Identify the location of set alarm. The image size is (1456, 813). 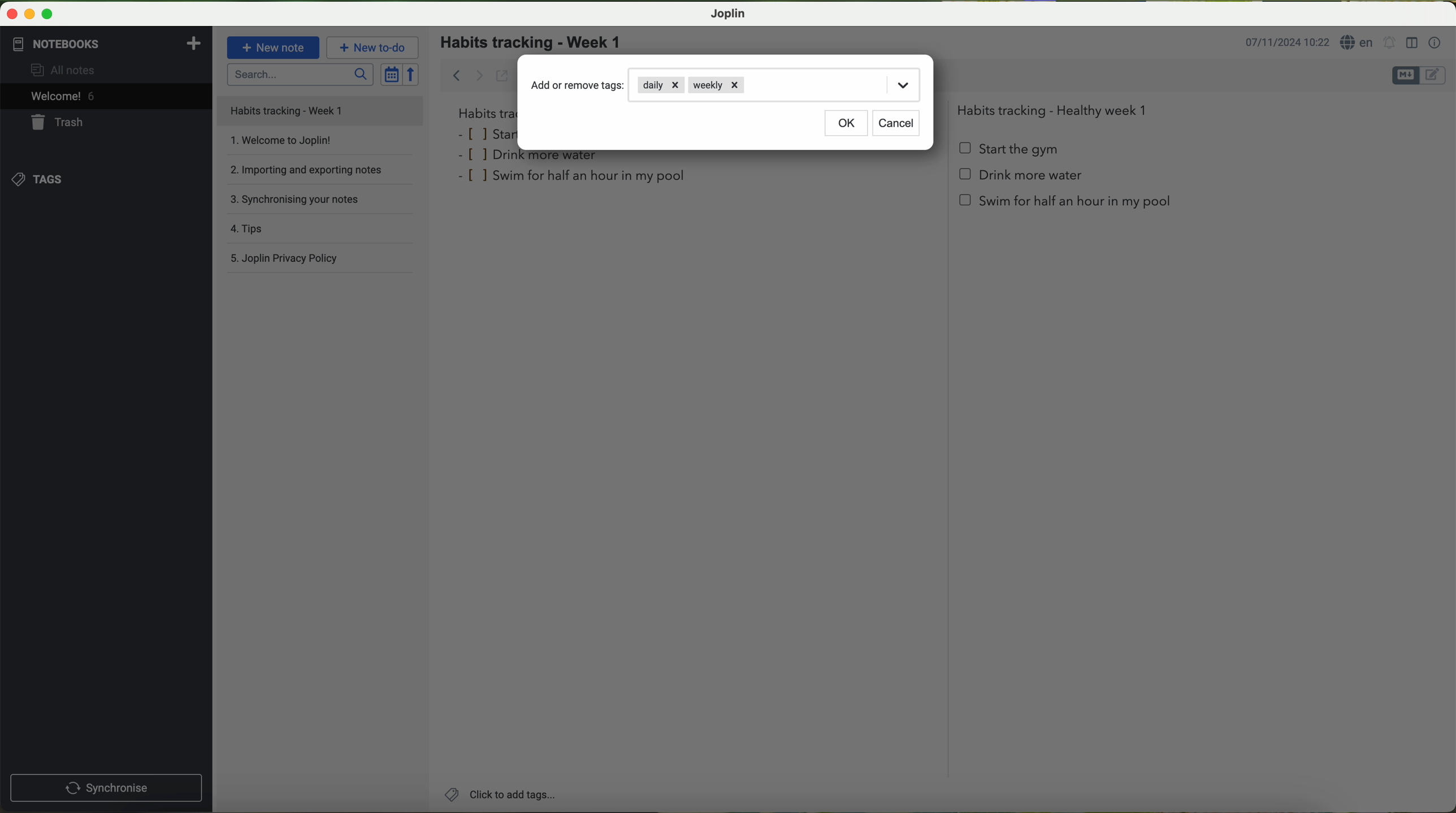
(1390, 42).